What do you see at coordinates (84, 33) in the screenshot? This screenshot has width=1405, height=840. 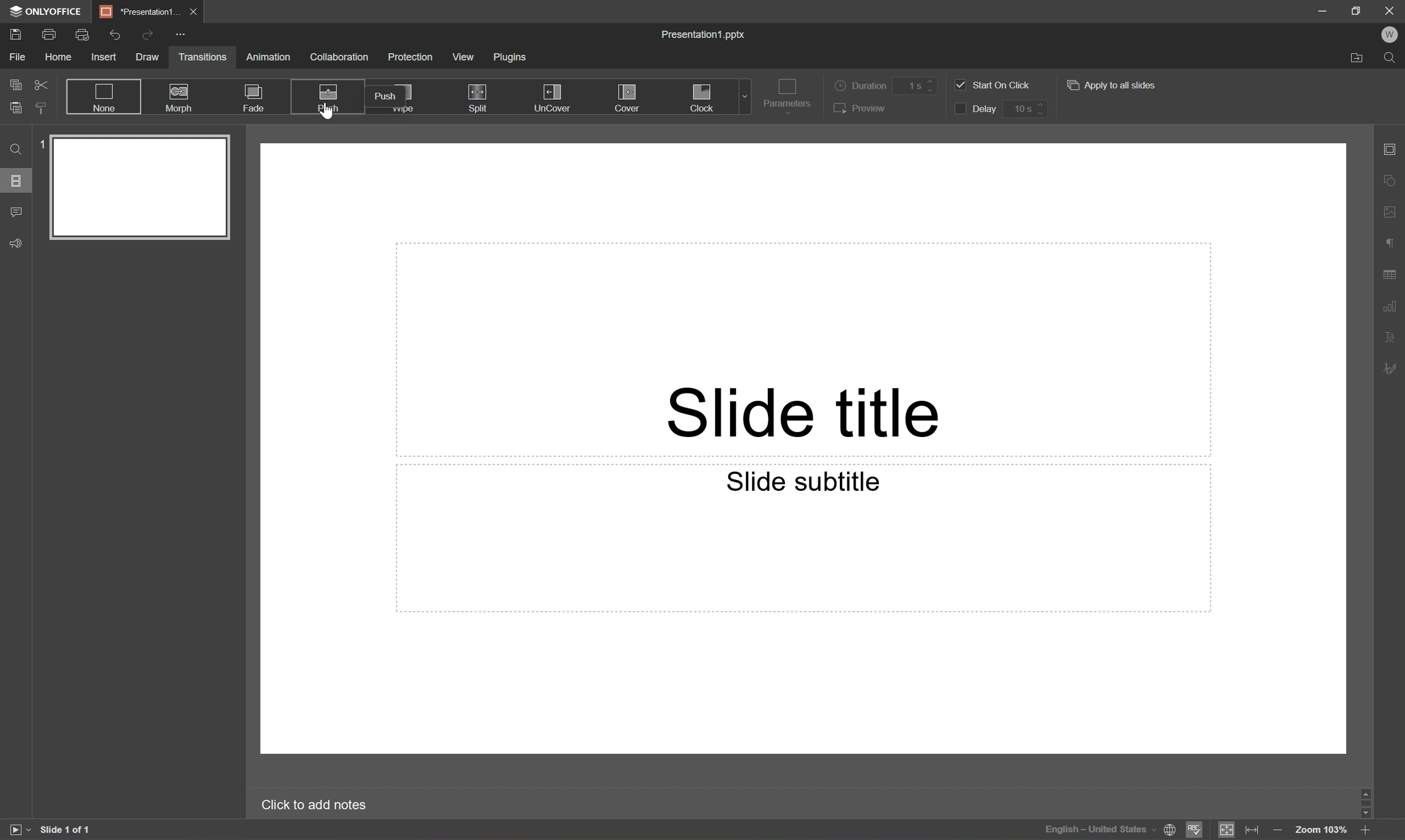 I see `Quick Print` at bounding box center [84, 33].